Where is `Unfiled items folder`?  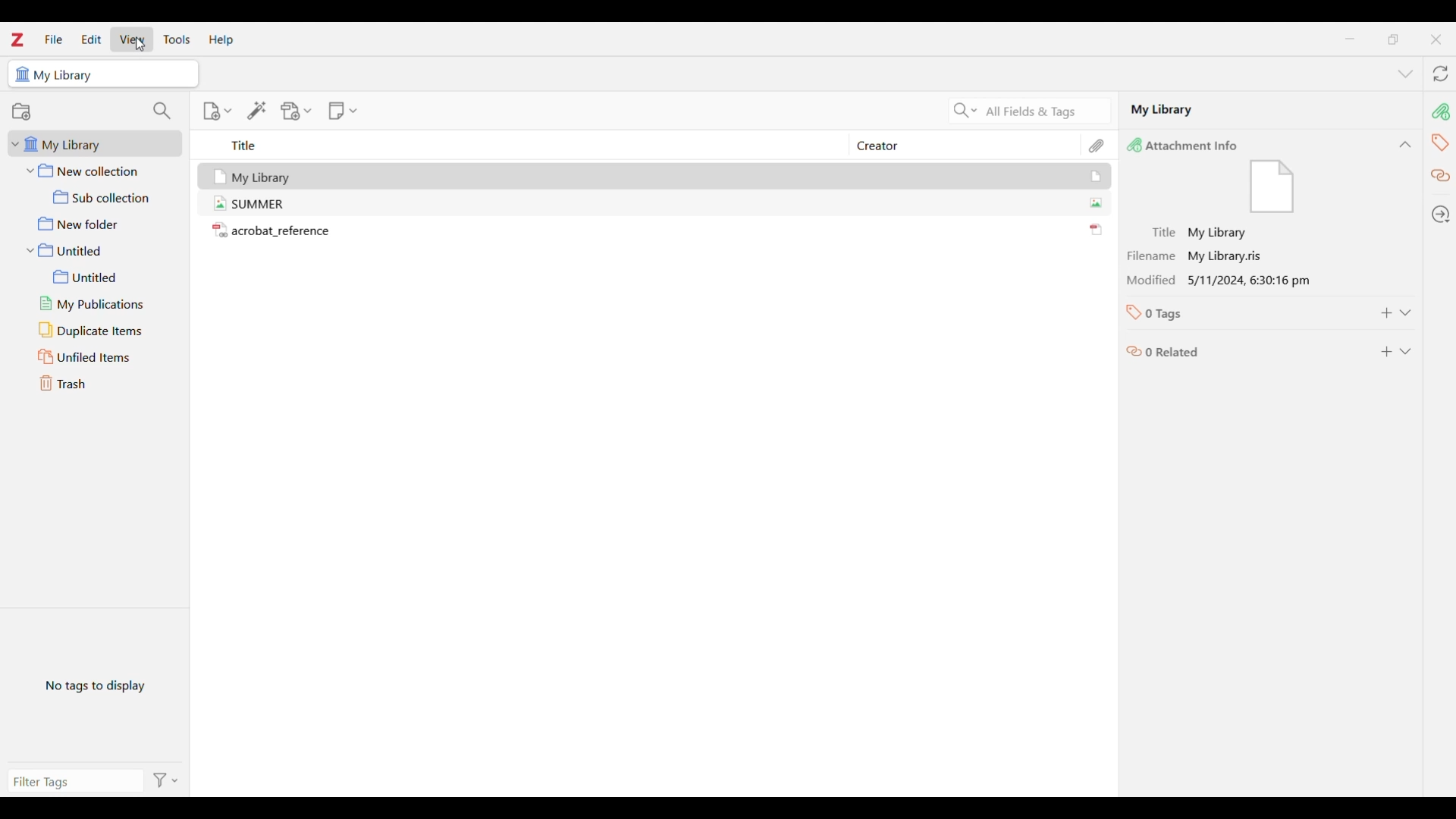
Unfiled items folder is located at coordinates (99, 356).